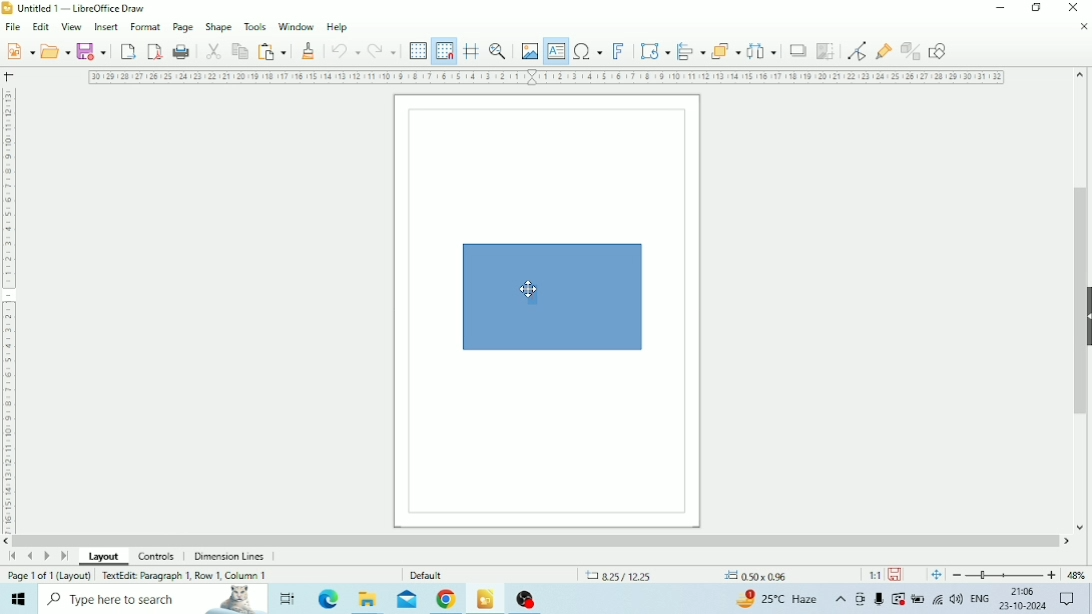  I want to click on Copy, so click(240, 51).